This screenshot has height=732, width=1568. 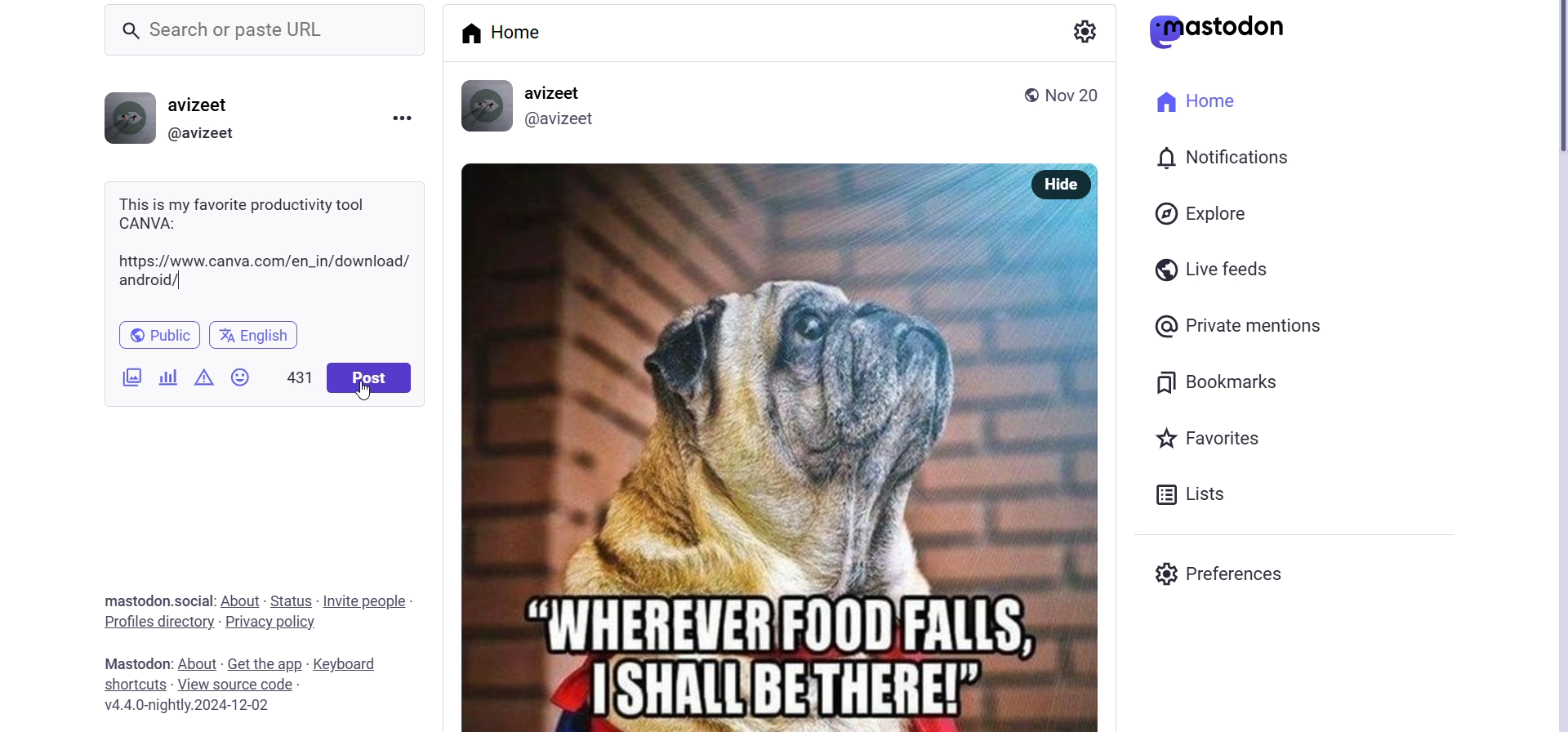 I want to click on live feeds, so click(x=1225, y=267).